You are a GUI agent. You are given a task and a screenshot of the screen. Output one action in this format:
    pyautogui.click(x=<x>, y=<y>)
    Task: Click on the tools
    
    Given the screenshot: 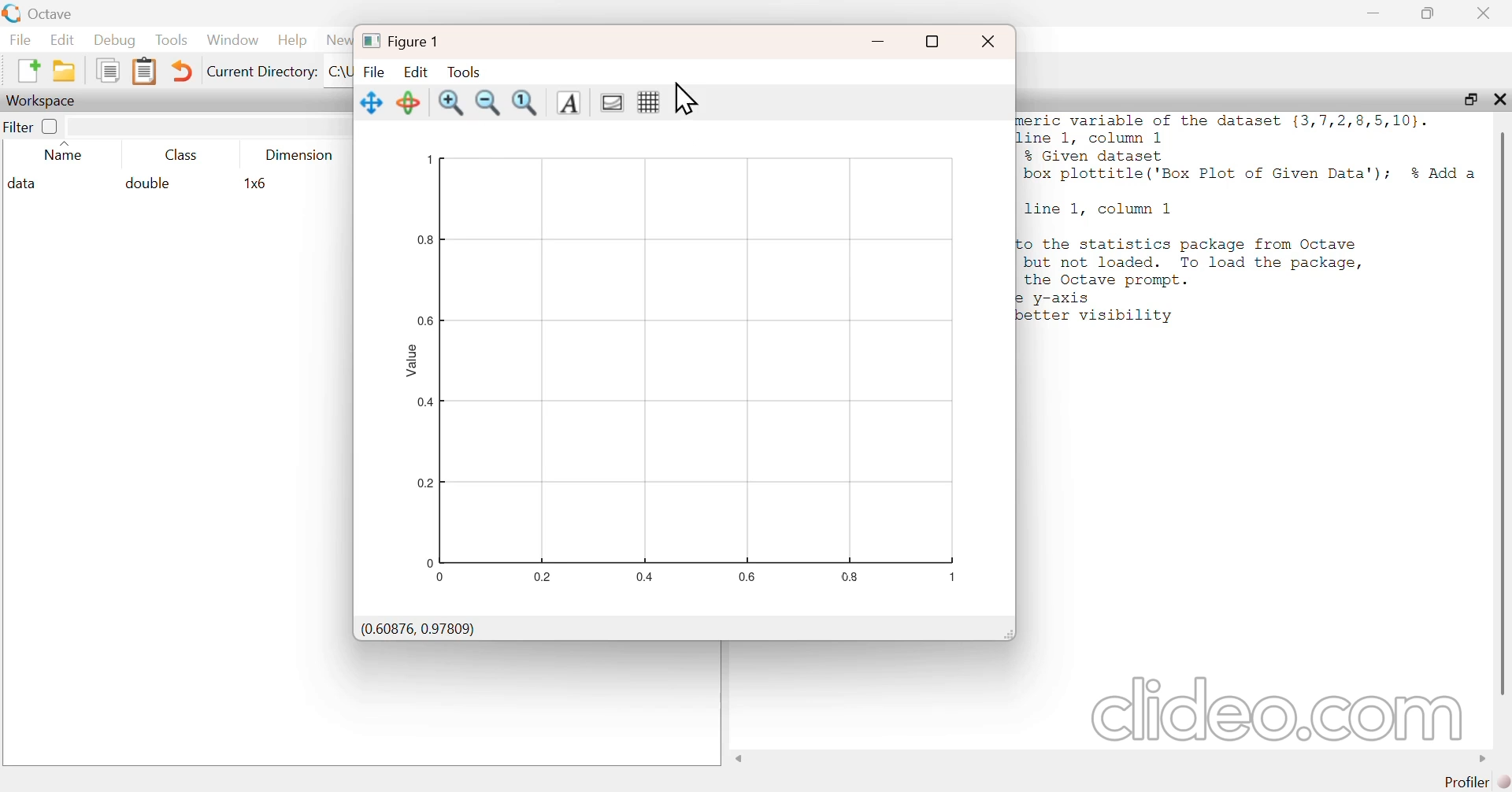 What is the action you would take?
    pyautogui.click(x=465, y=72)
    